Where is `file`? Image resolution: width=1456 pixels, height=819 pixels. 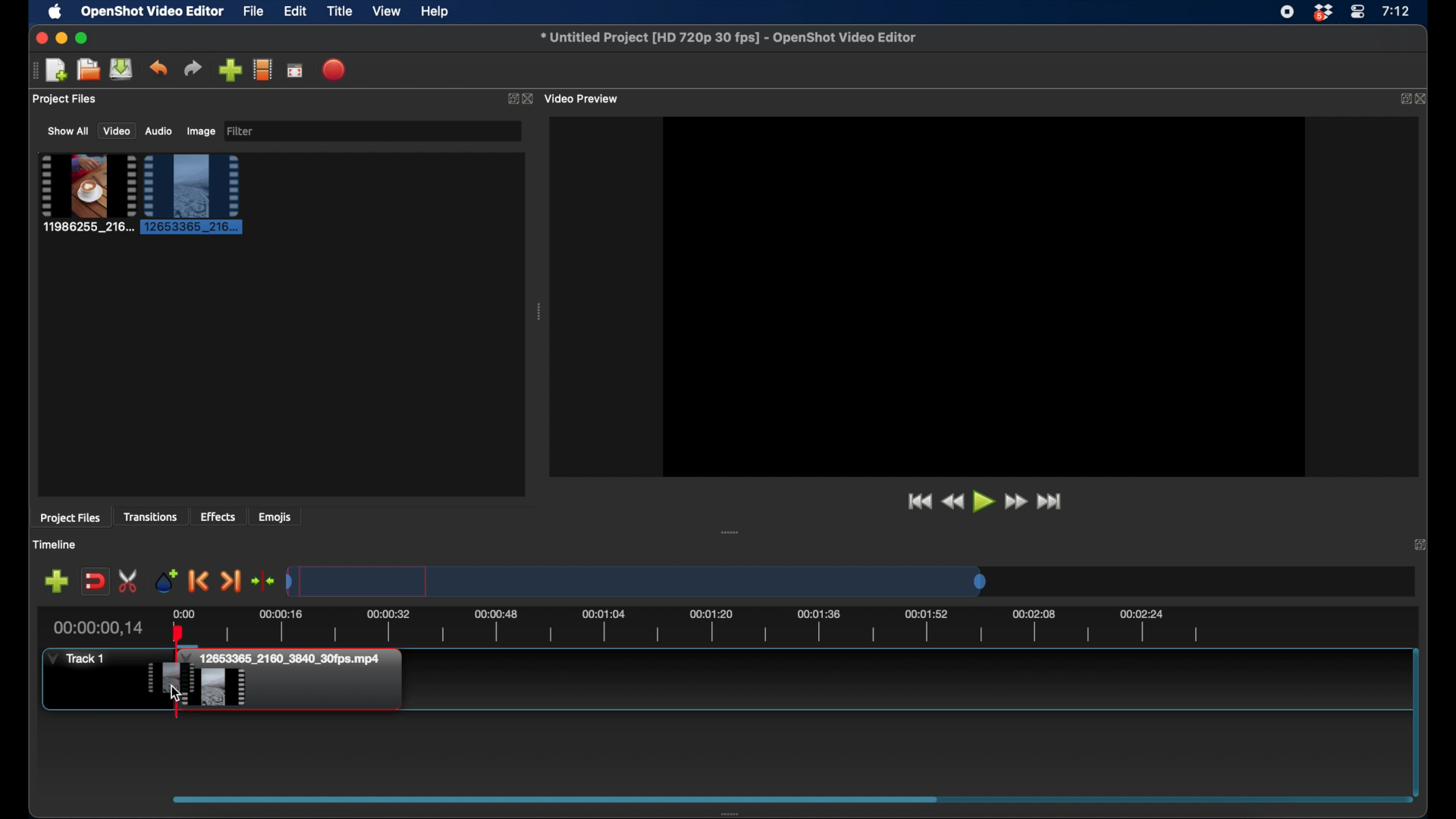 file is located at coordinates (253, 11).